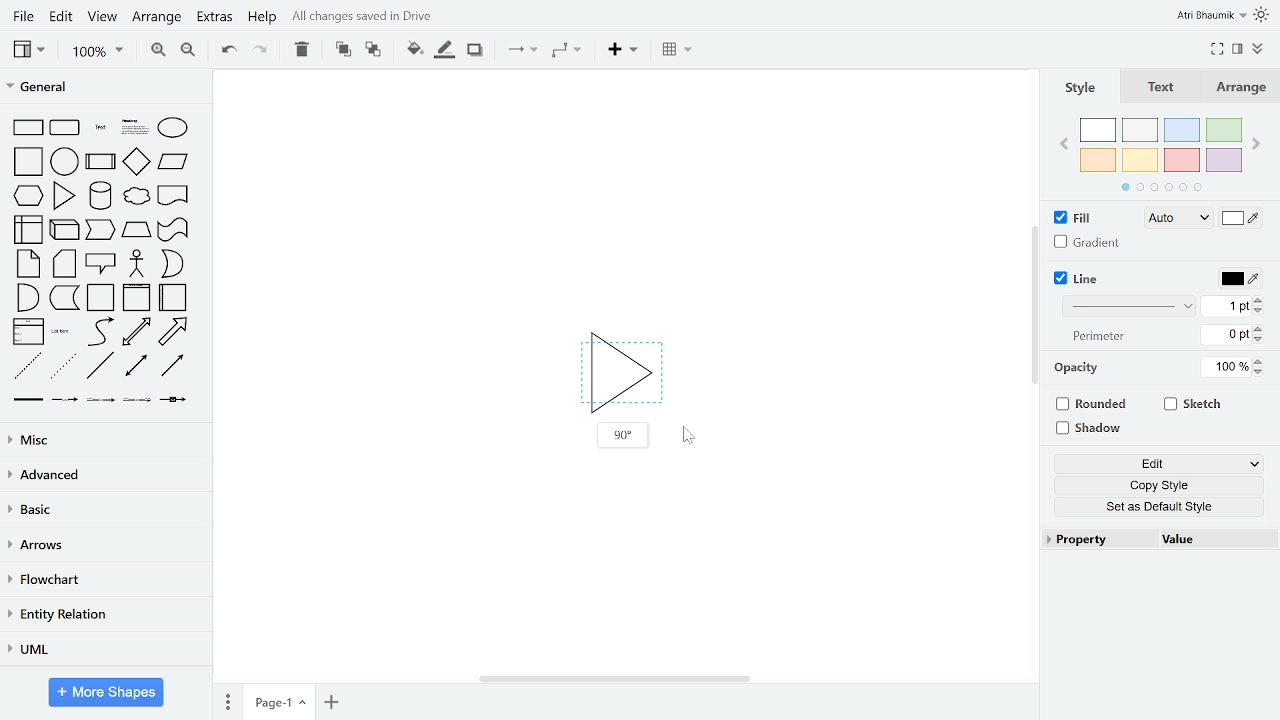 The image size is (1280, 720). Describe the element at coordinates (136, 298) in the screenshot. I see `vertical storage` at that location.